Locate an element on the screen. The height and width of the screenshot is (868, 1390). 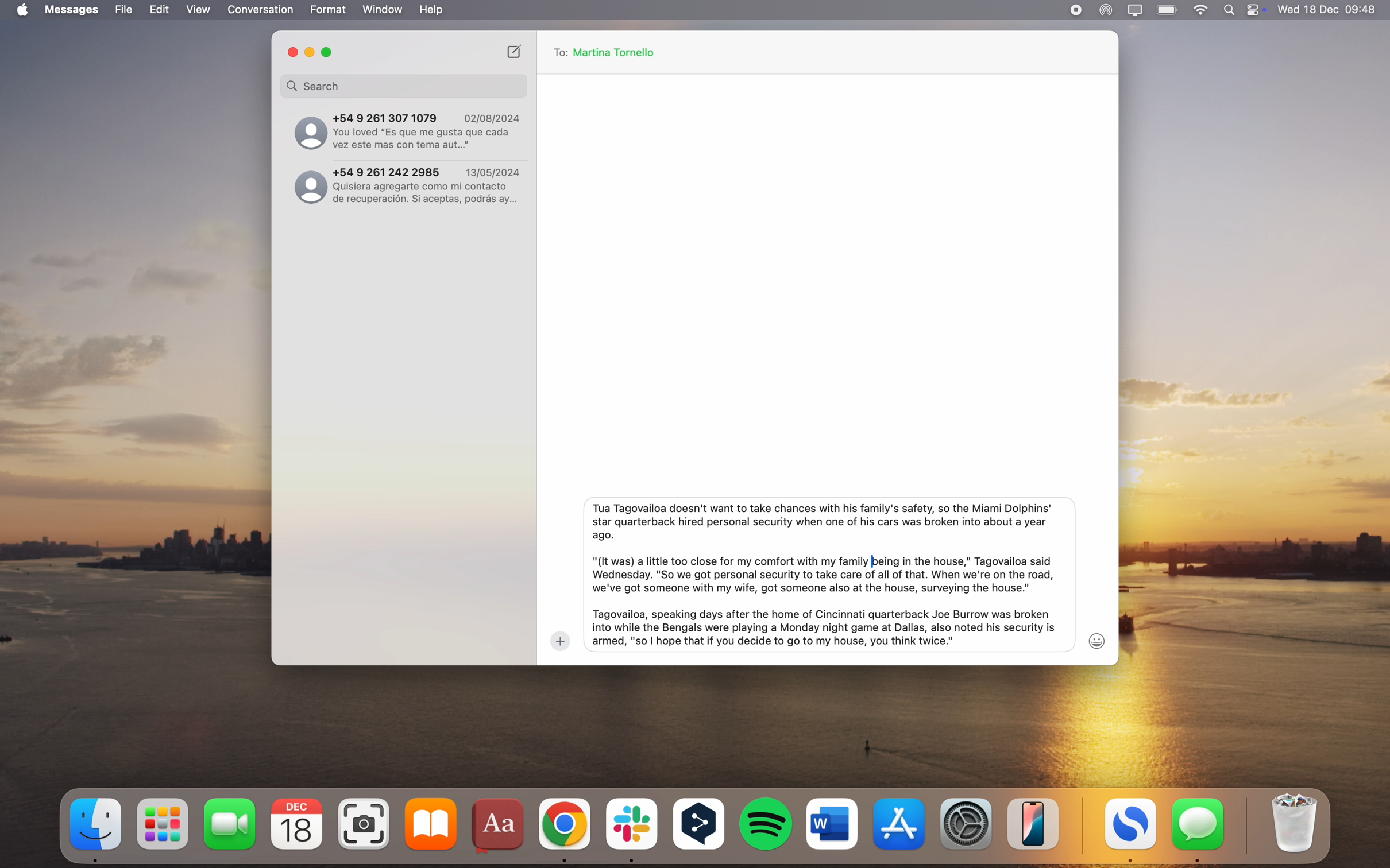
view is located at coordinates (198, 10).